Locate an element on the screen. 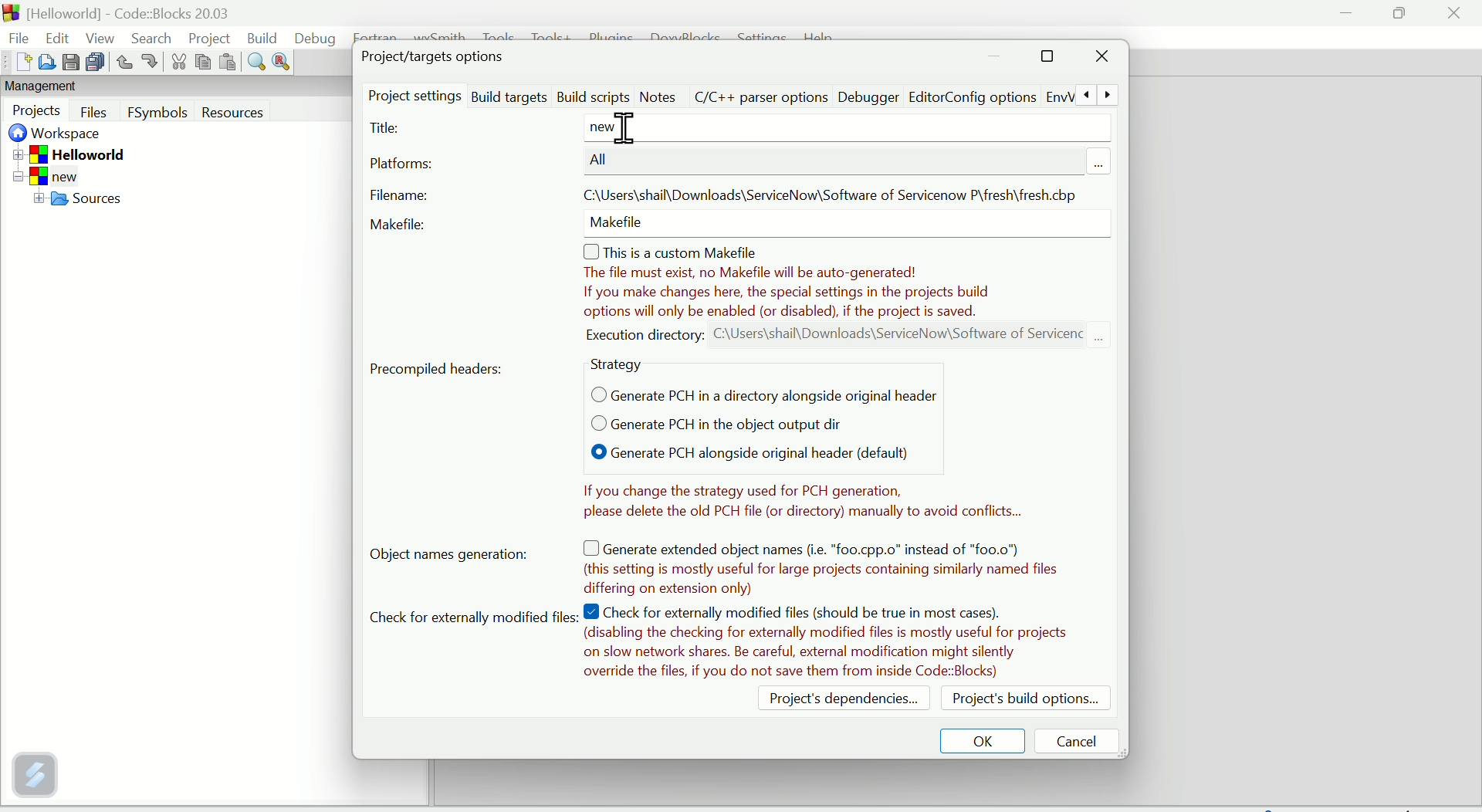 Image resolution: width=1482 pixels, height=812 pixels. All is located at coordinates (603, 160).